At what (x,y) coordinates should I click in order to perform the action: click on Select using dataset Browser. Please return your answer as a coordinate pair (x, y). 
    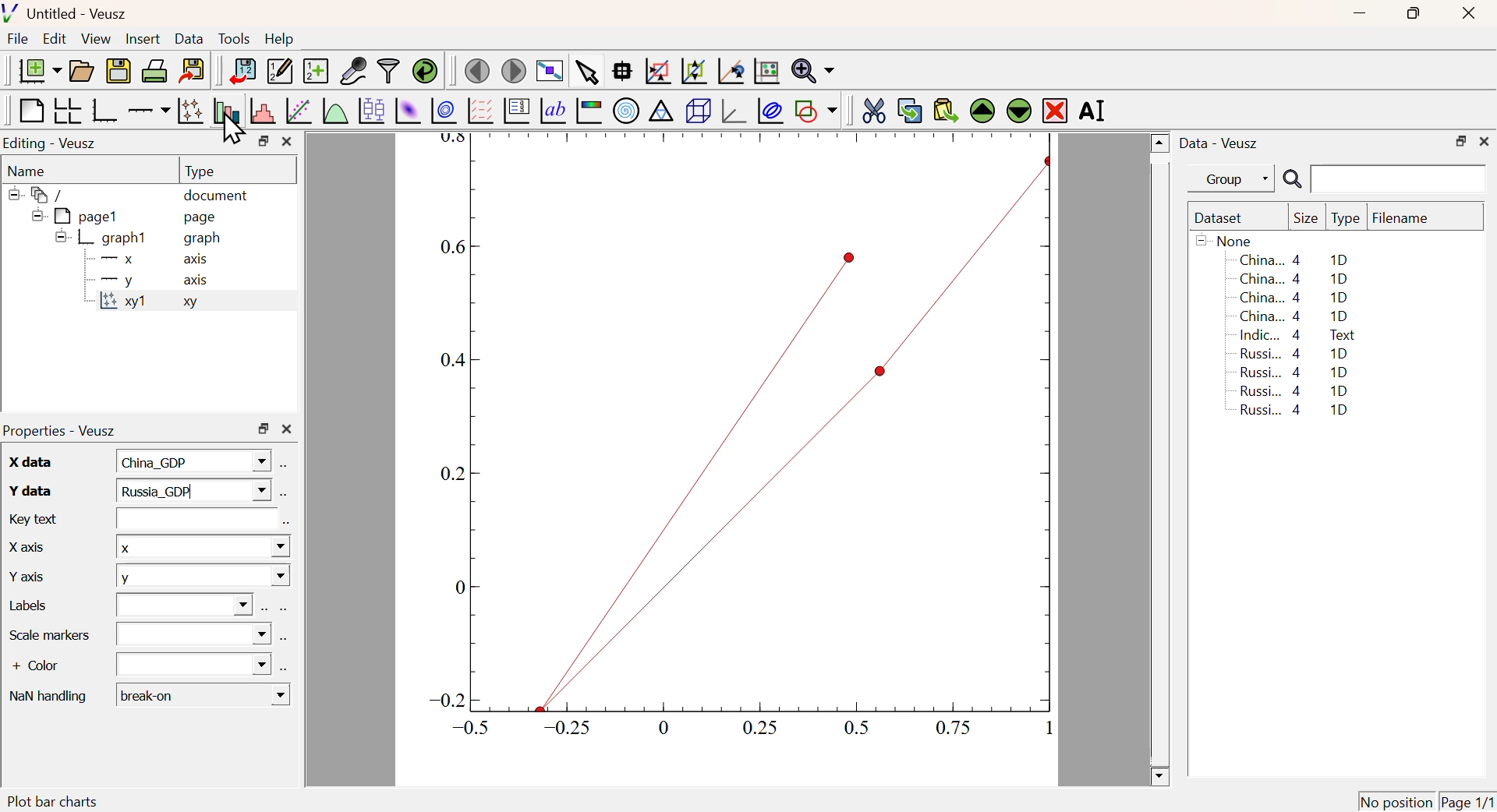
    Looking at the image, I should click on (285, 495).